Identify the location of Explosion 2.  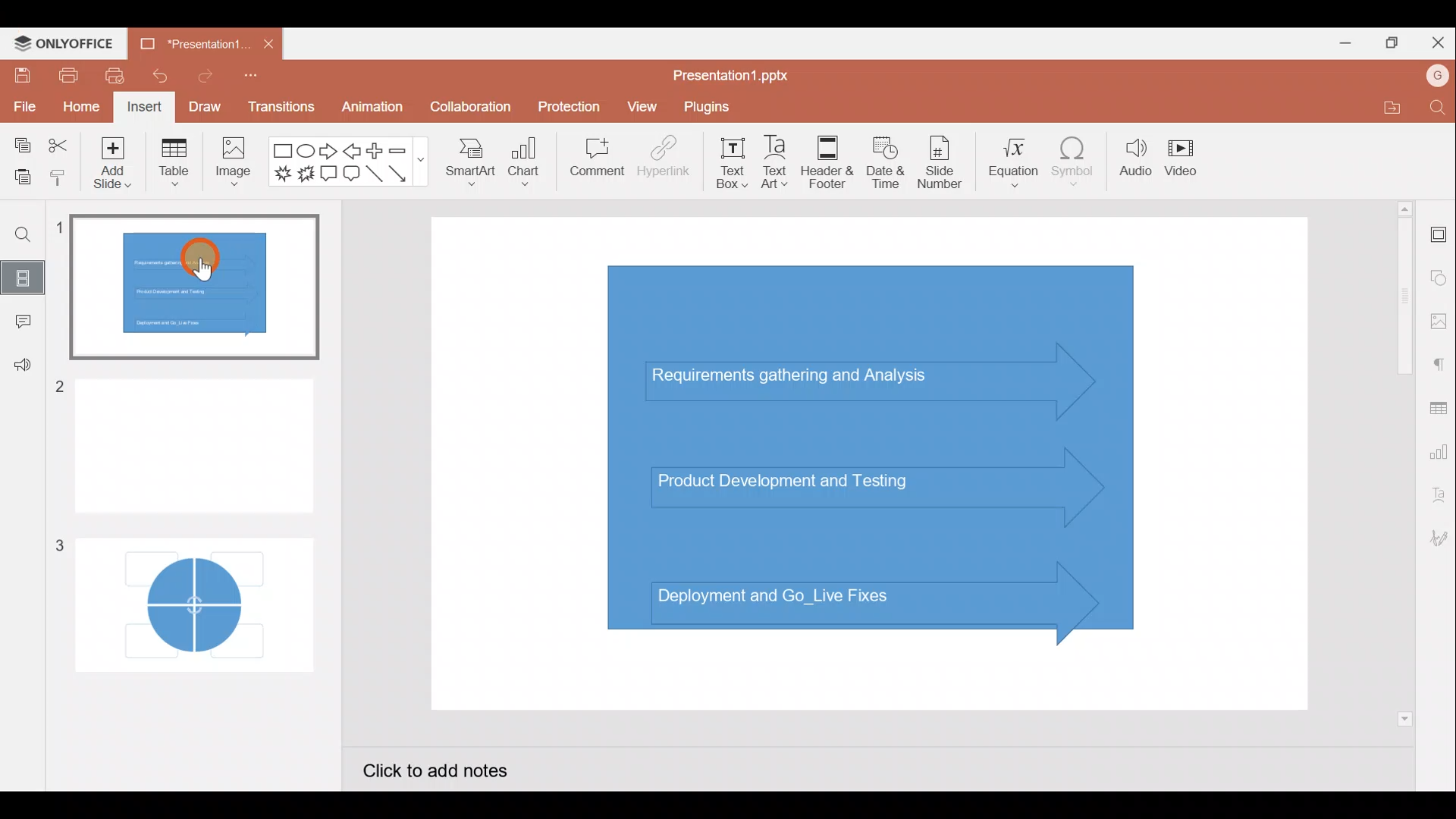
(305, 175).